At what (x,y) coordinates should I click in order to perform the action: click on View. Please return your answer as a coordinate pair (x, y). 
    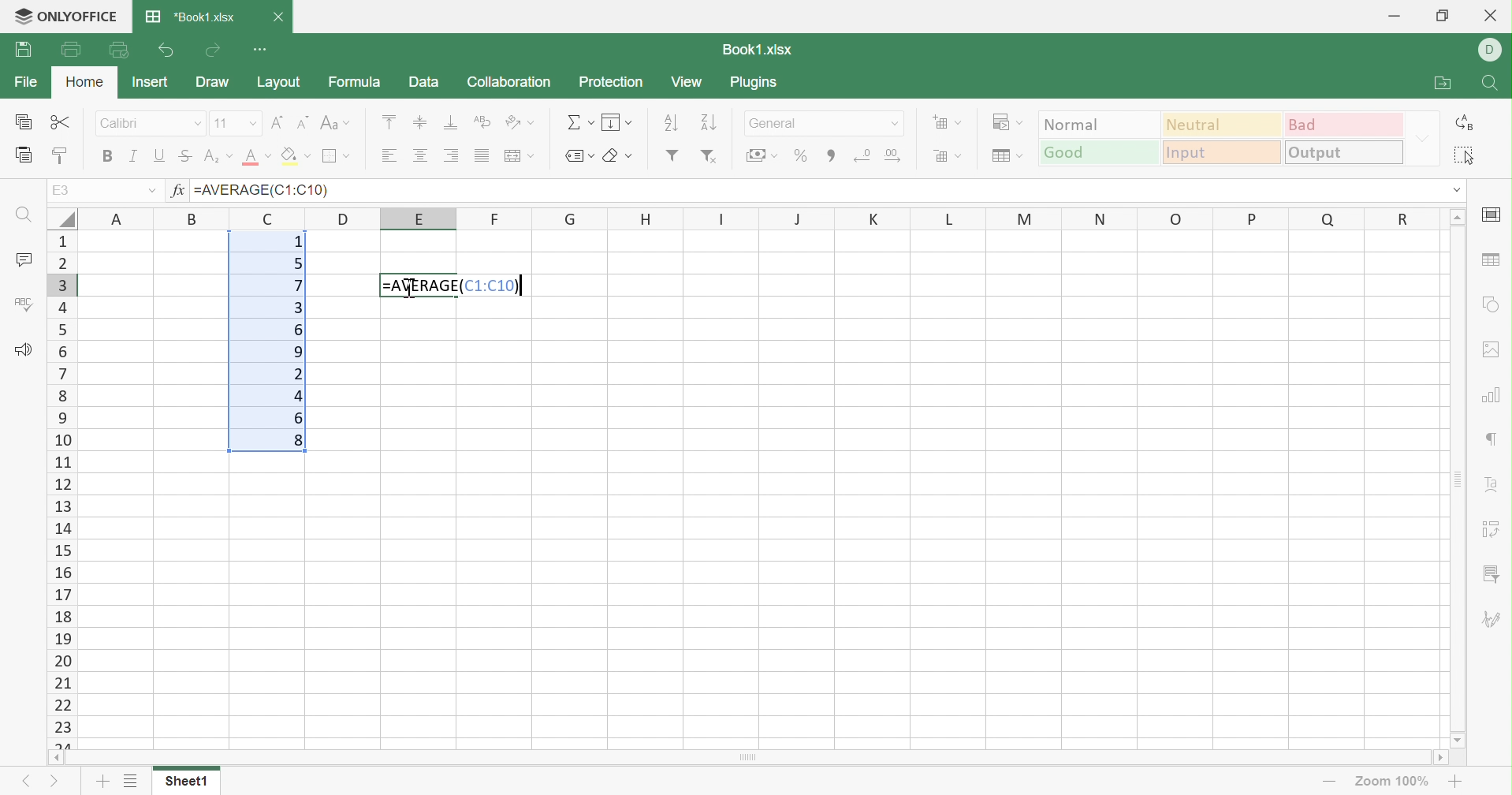
    Looking at the image, I should click on (687, 83).